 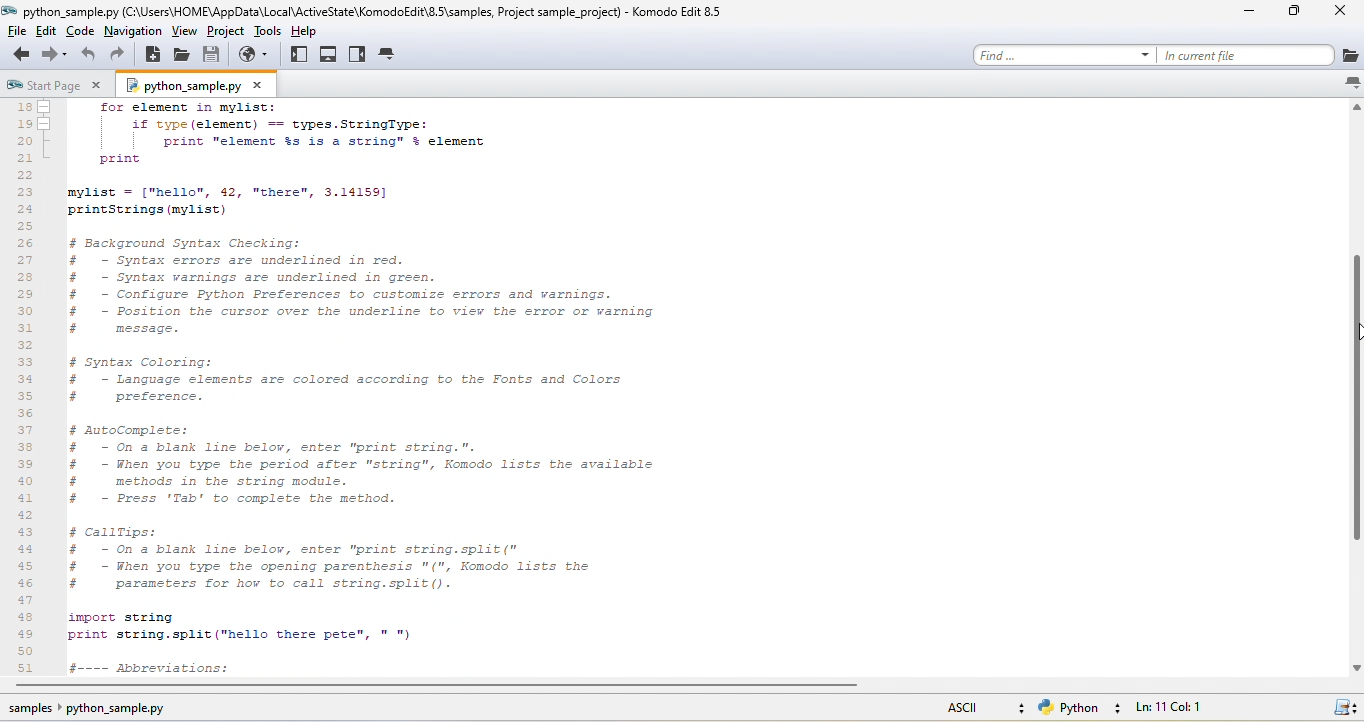 I want to click on close, so click(x=1344, y=13).